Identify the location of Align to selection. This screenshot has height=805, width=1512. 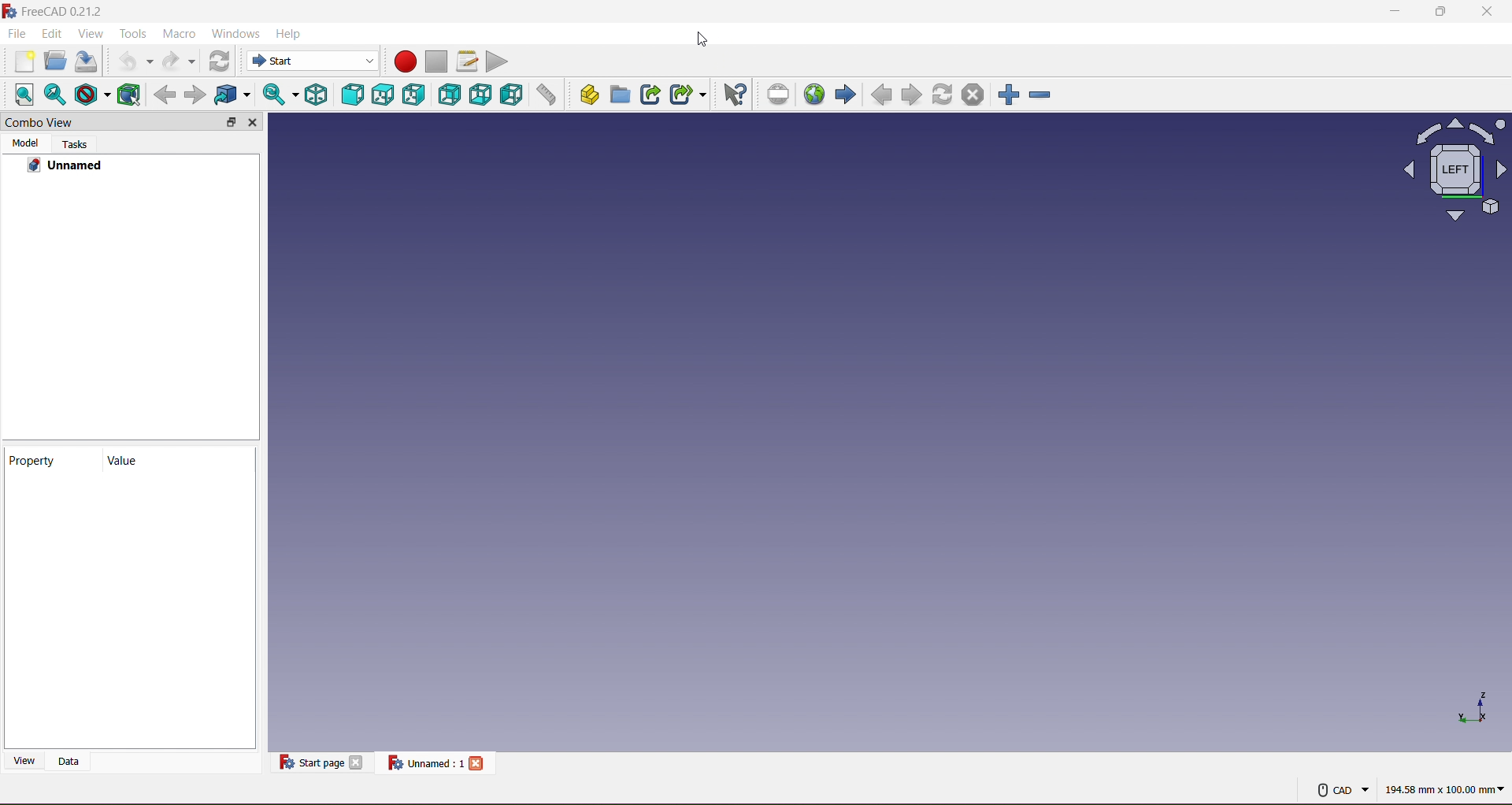
(24, 94).